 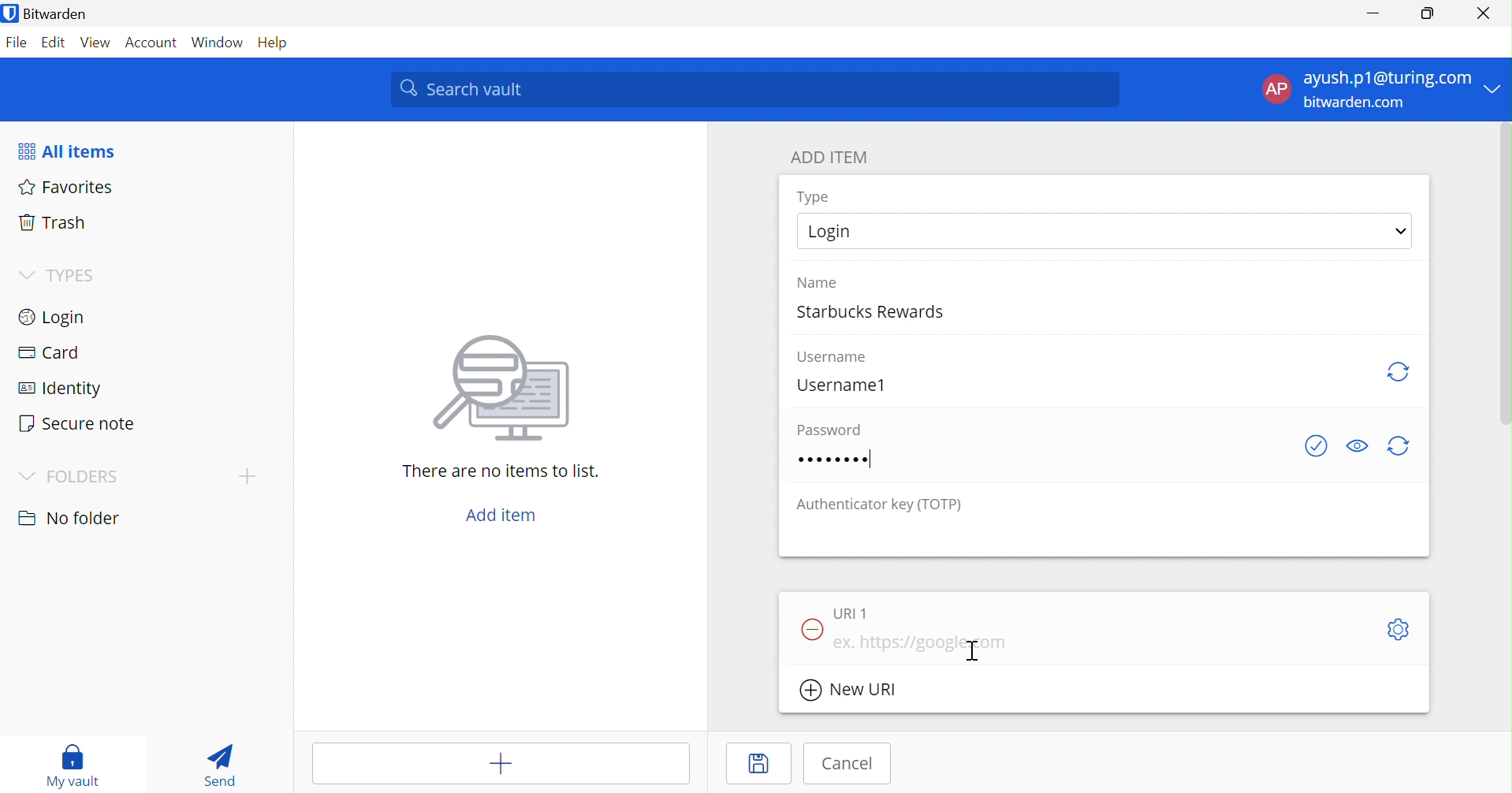 I want to click on TYPES, so click(x=76, y=275).